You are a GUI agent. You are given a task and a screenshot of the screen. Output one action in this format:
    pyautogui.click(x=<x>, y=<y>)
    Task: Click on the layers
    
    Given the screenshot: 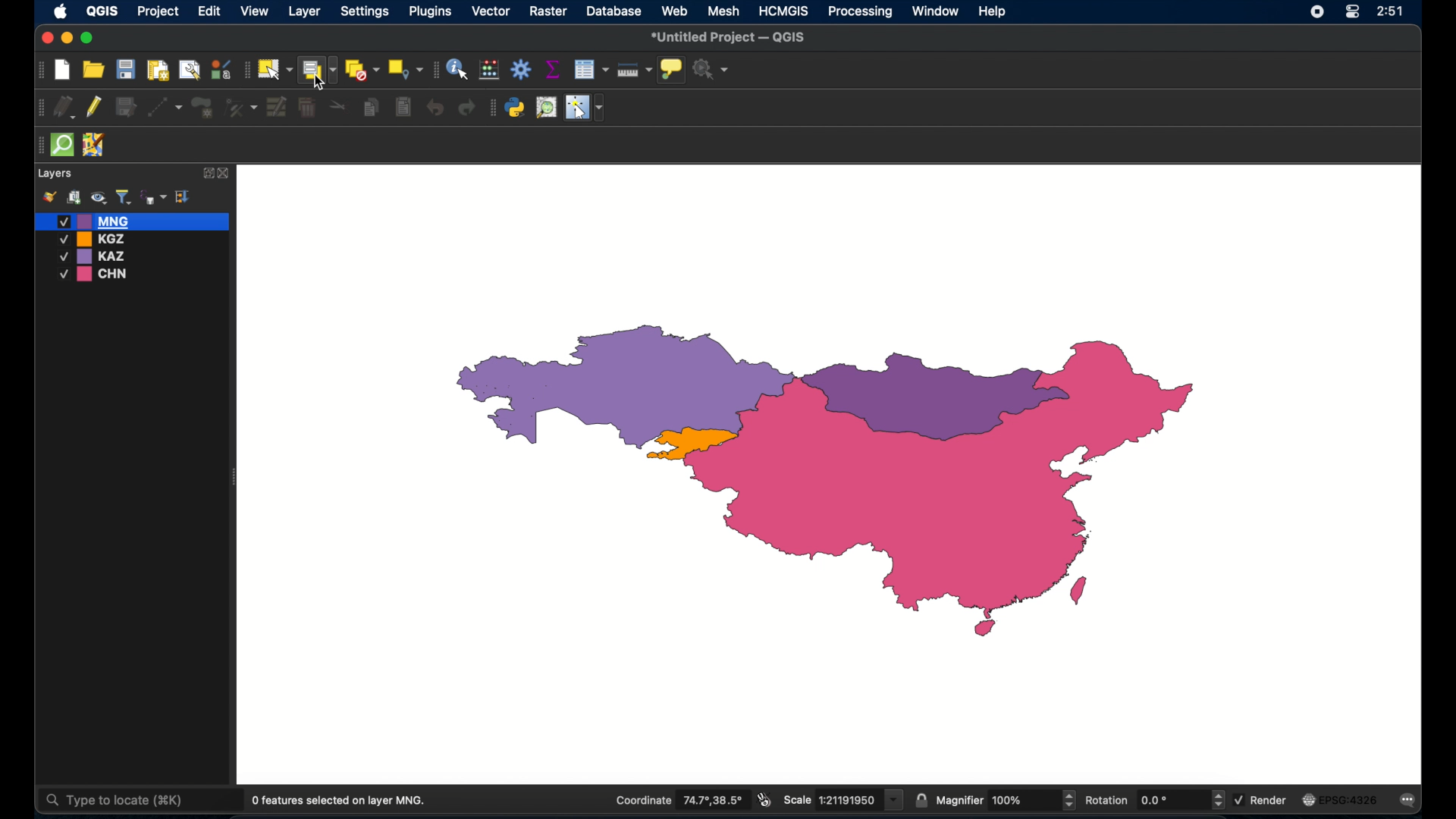 What is the action you would take?
    pyautogui.click(x=56, y=174)
    